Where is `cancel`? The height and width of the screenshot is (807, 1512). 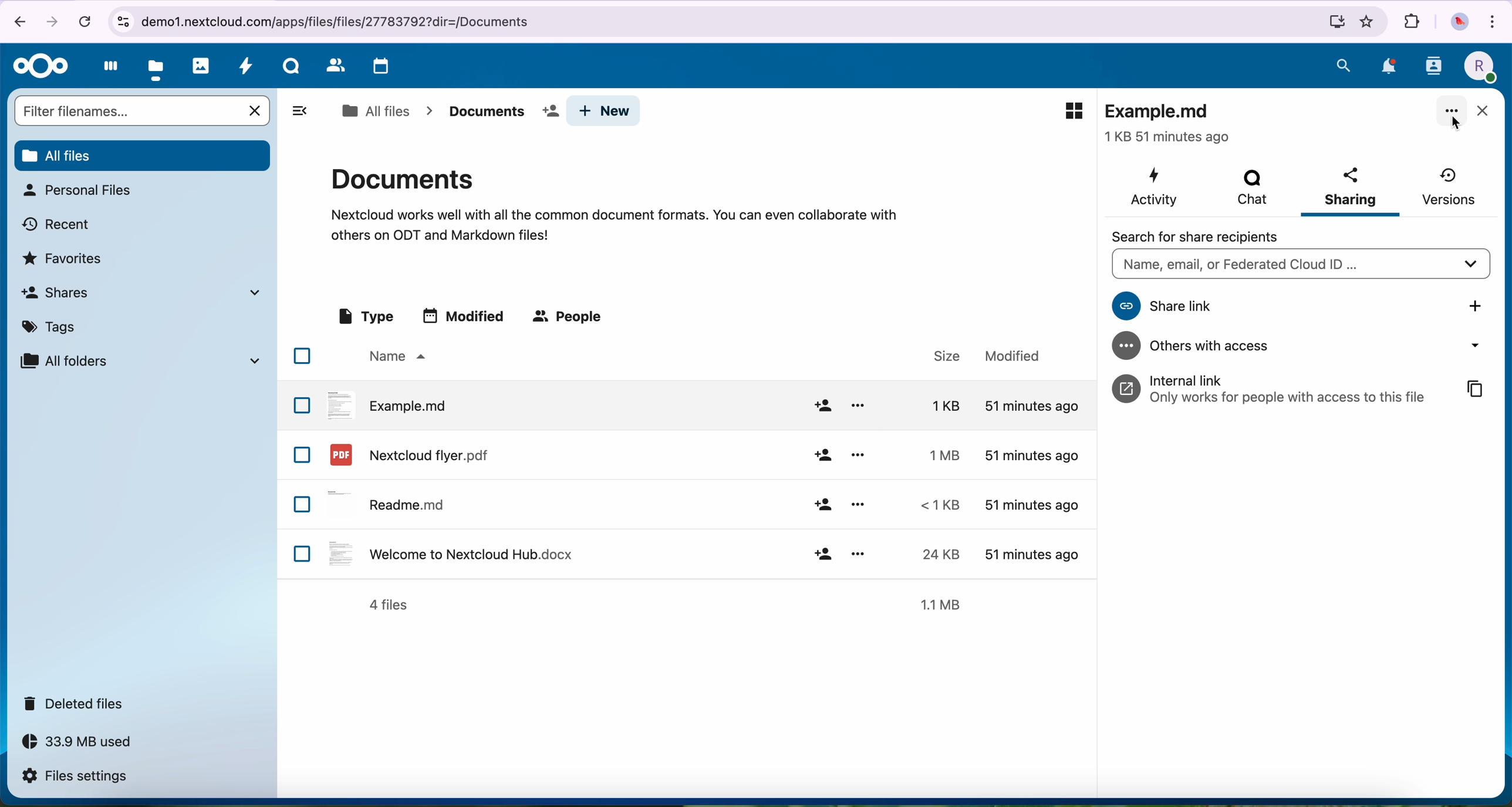 cancel is located at coordinates (256, 111).